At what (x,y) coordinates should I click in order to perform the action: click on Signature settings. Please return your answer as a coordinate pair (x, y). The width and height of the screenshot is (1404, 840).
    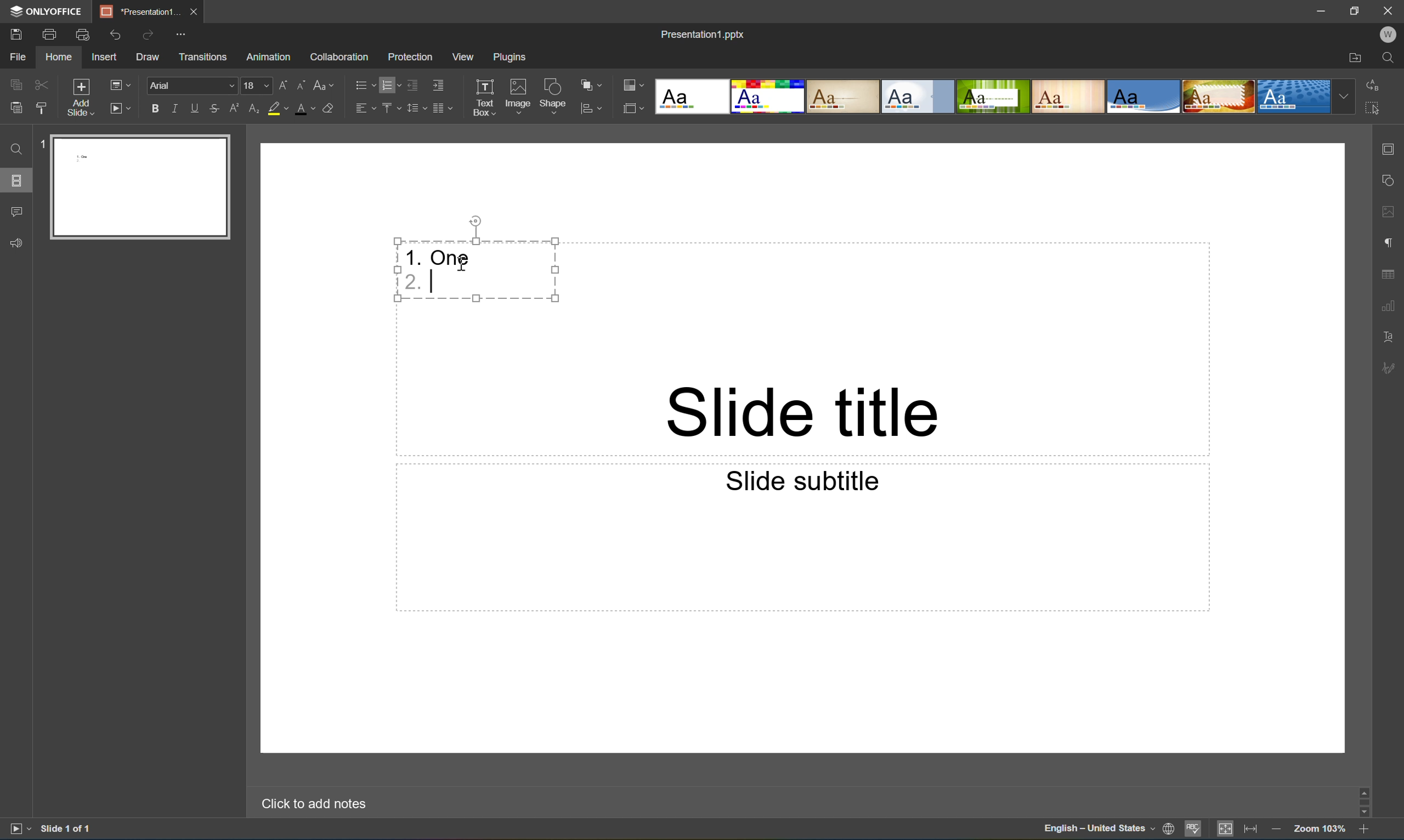
    Looking at the image, I should click on (1391, 368).